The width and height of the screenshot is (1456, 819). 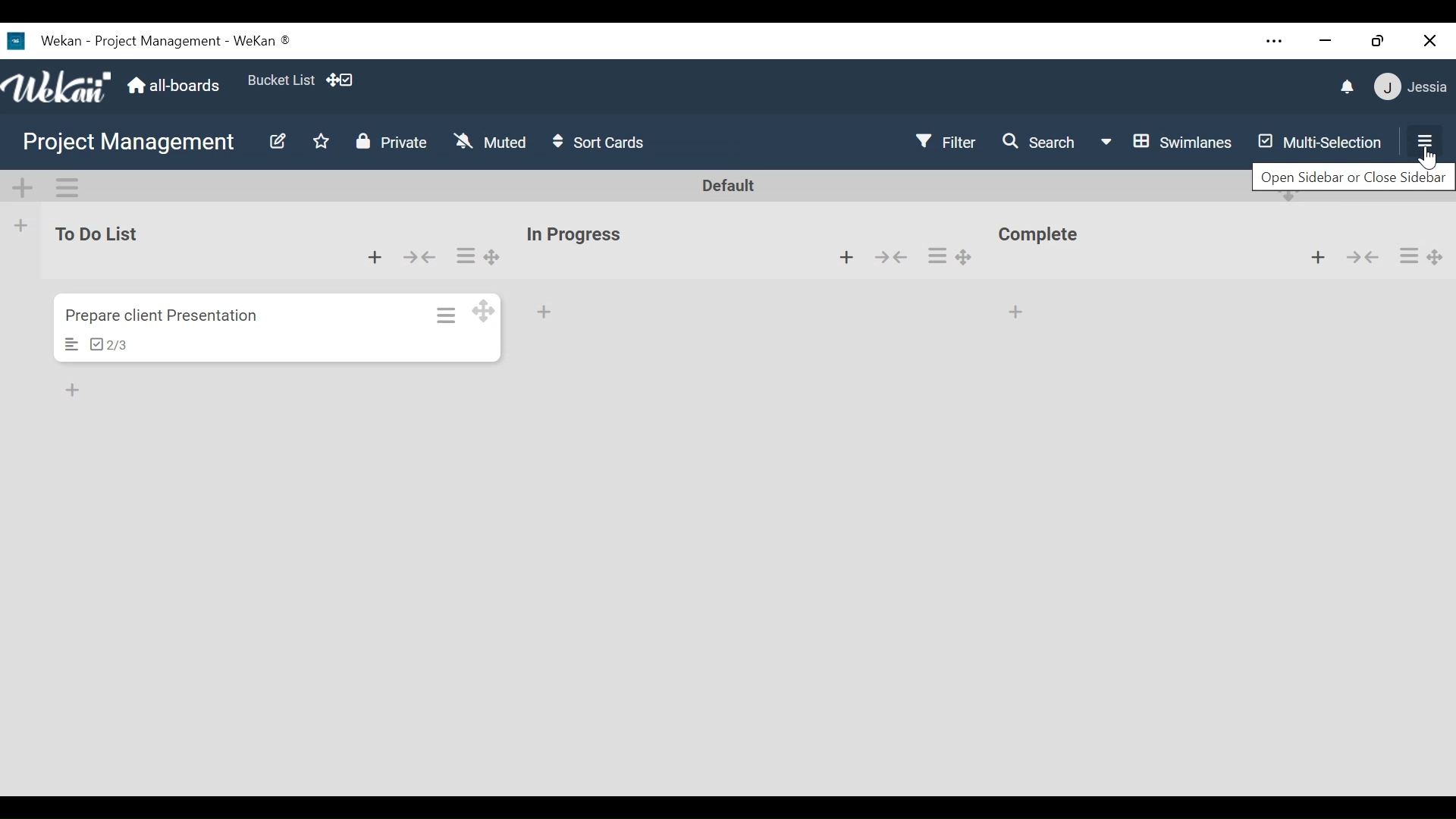 I want to click on Collapse, so click(x=422, y=257).